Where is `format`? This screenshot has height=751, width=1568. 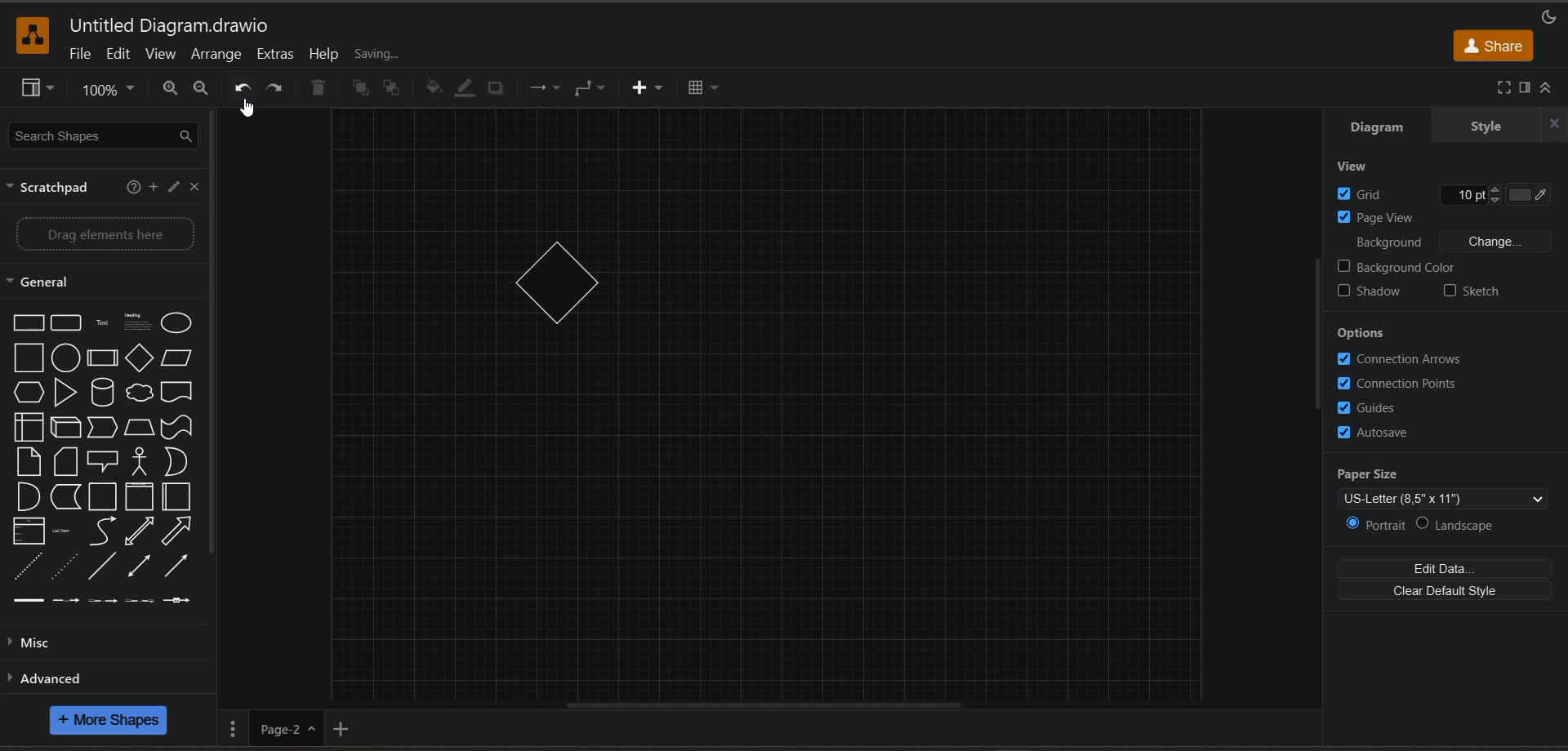 format is located at coordinates (1526, 87).